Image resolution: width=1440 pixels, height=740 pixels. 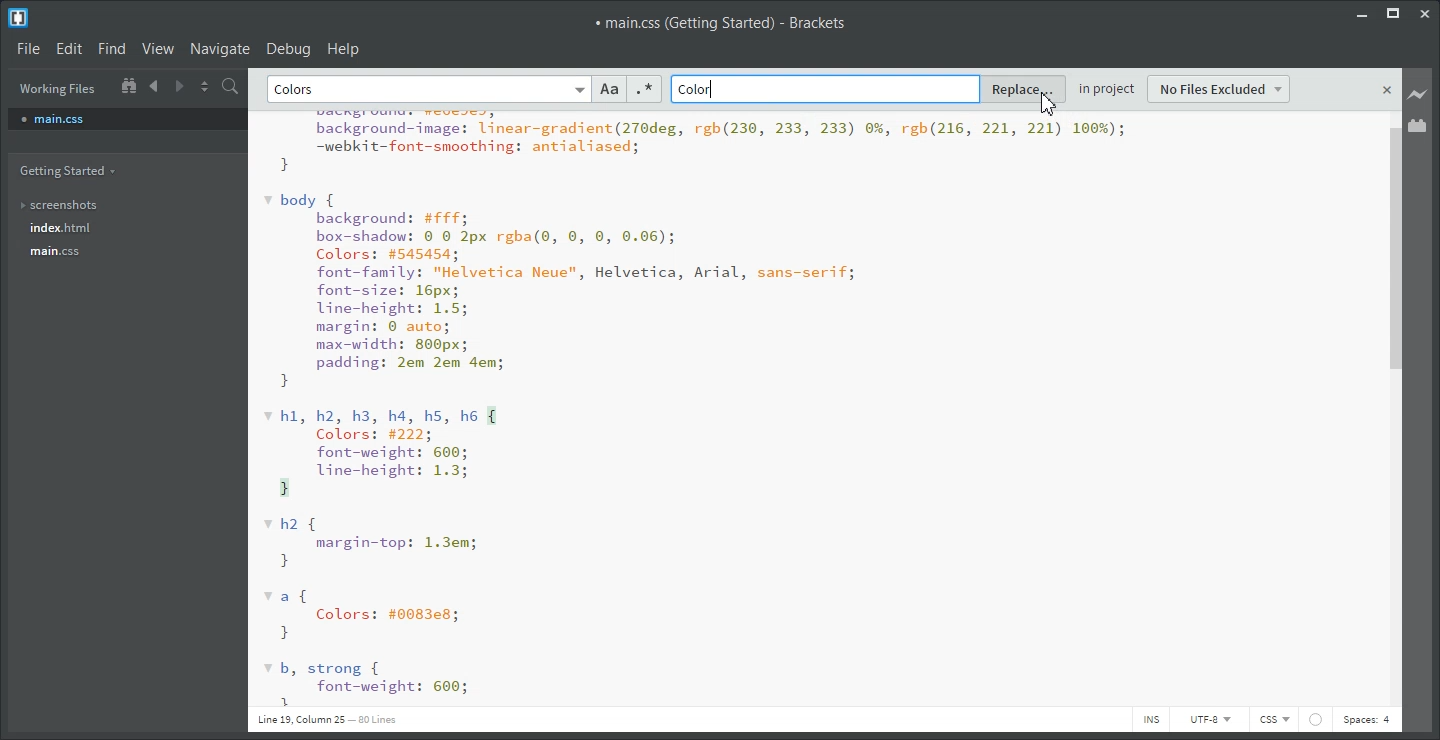 What do you see at coordinates (1107, 91) in the screenshot?
I see `in project` at bounding box center [1107, 91].